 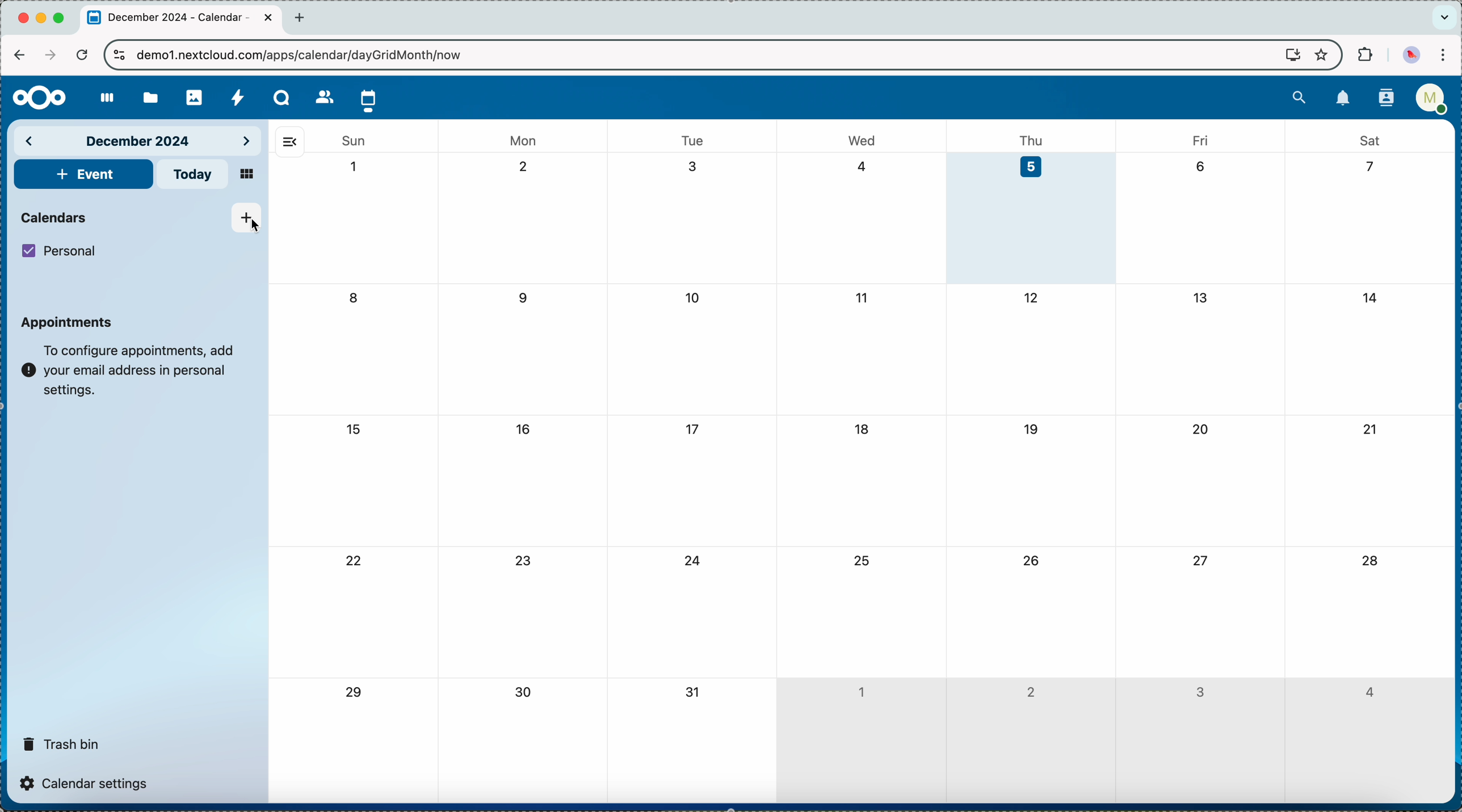 What do you see at coordinates (1200, 297) in the screenshot?
I see `13` at bounding box center [1200, 297].